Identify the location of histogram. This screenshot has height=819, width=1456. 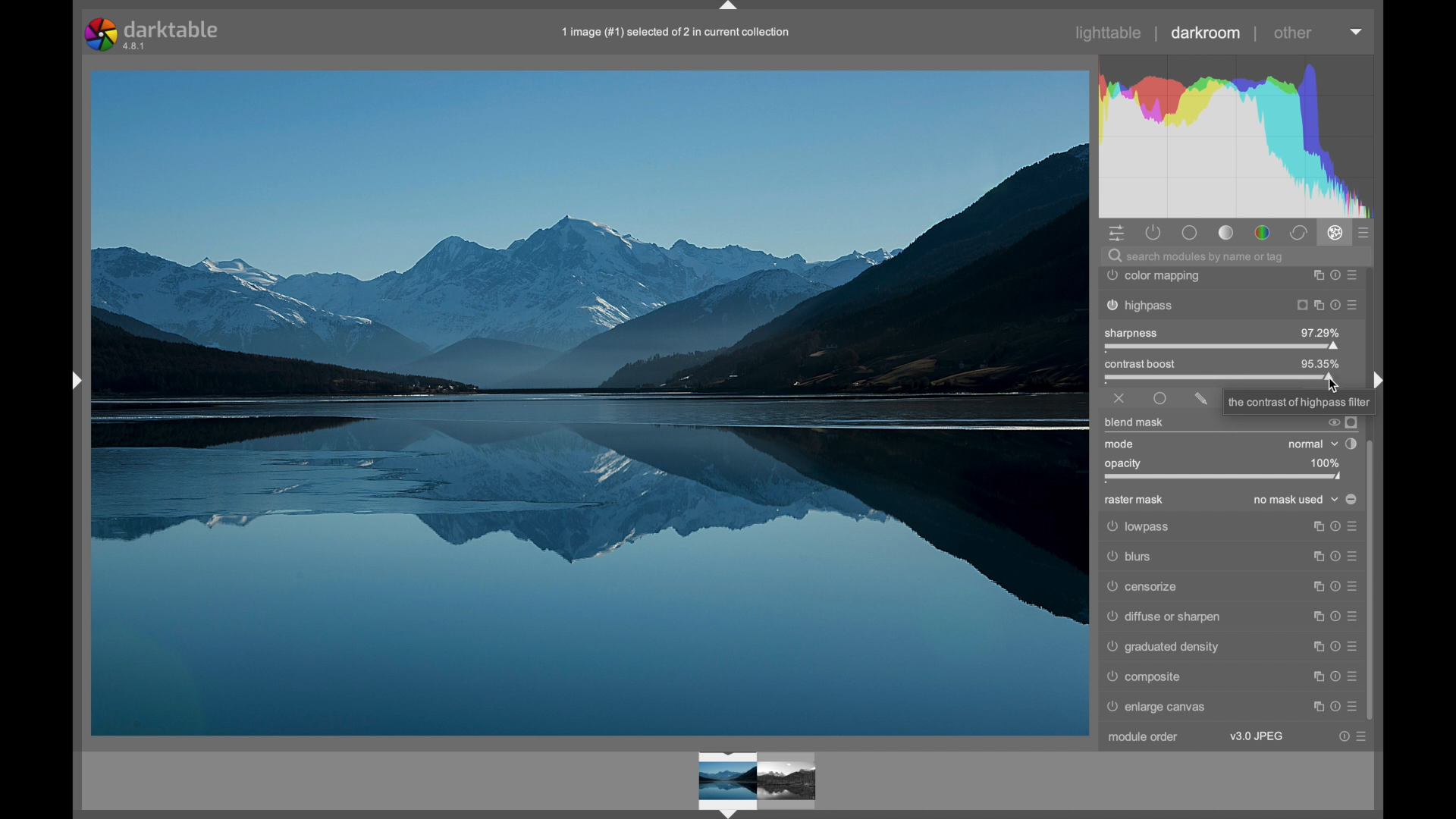
(1242, 133).